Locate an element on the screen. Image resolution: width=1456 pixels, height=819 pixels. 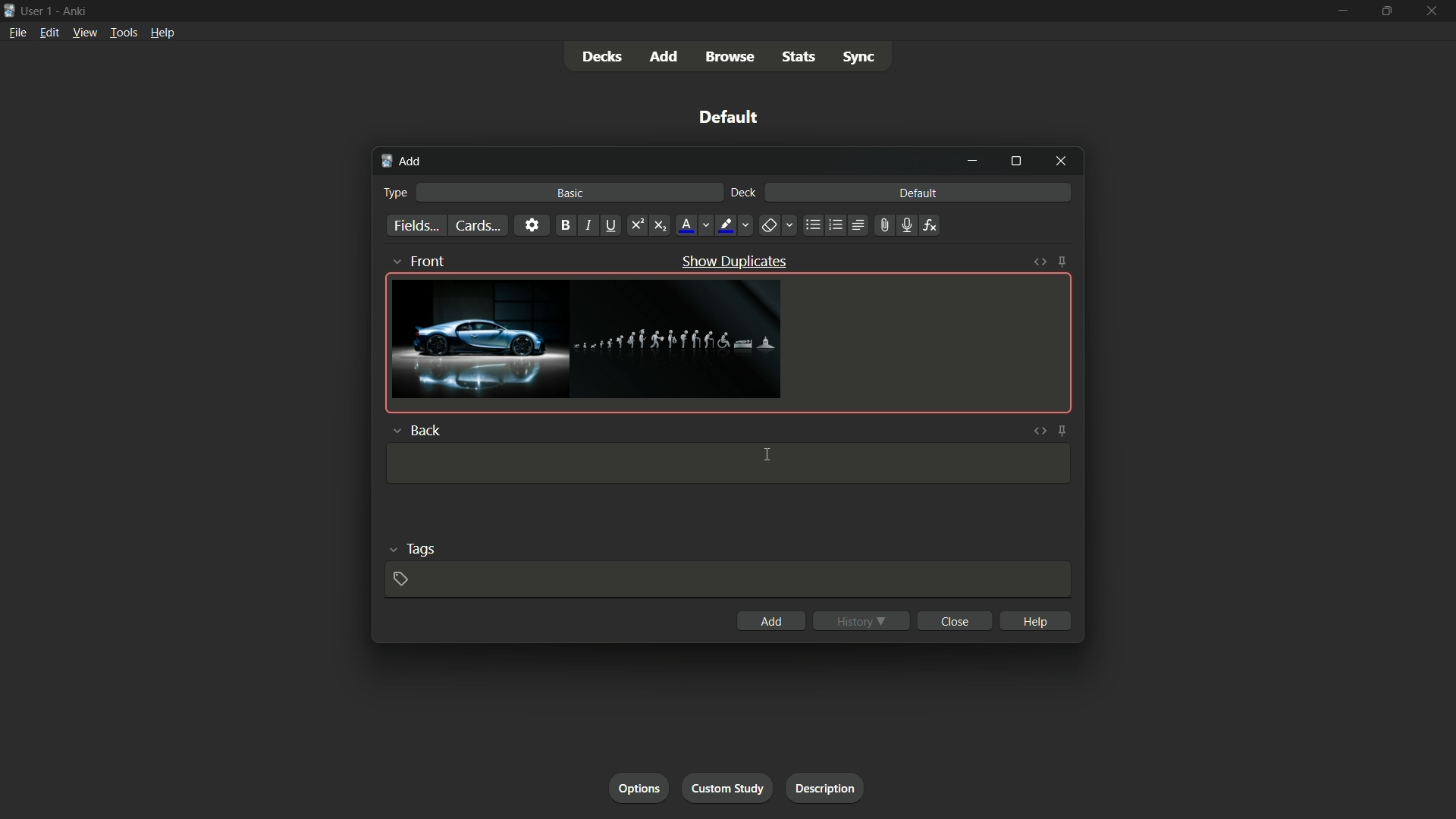
previous location is located at coordinates (835, 224).